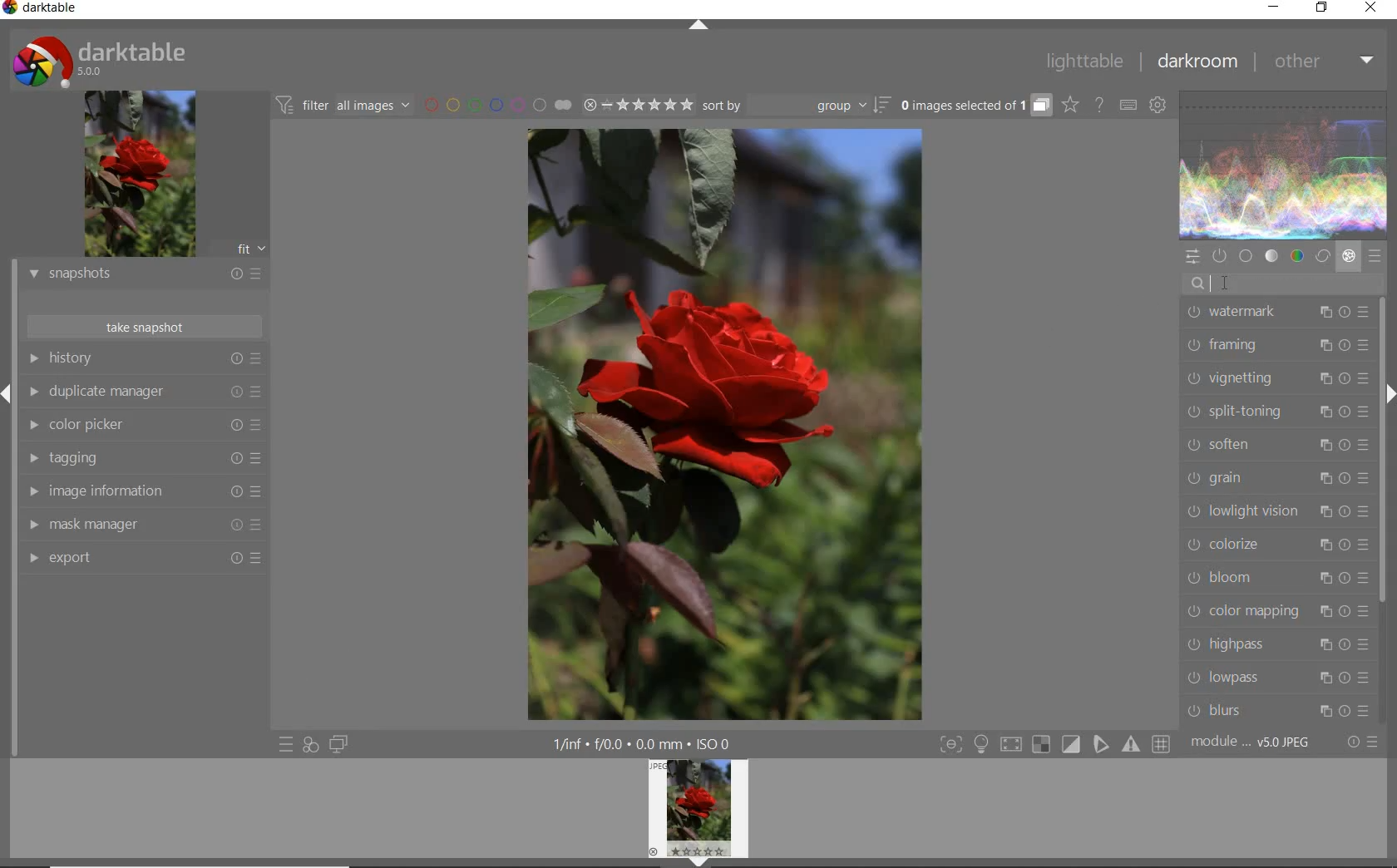  What do you see at coordinates (1157, 106) in the screenshot?
I see `show global preferences` at bounding box center [1157, 106].